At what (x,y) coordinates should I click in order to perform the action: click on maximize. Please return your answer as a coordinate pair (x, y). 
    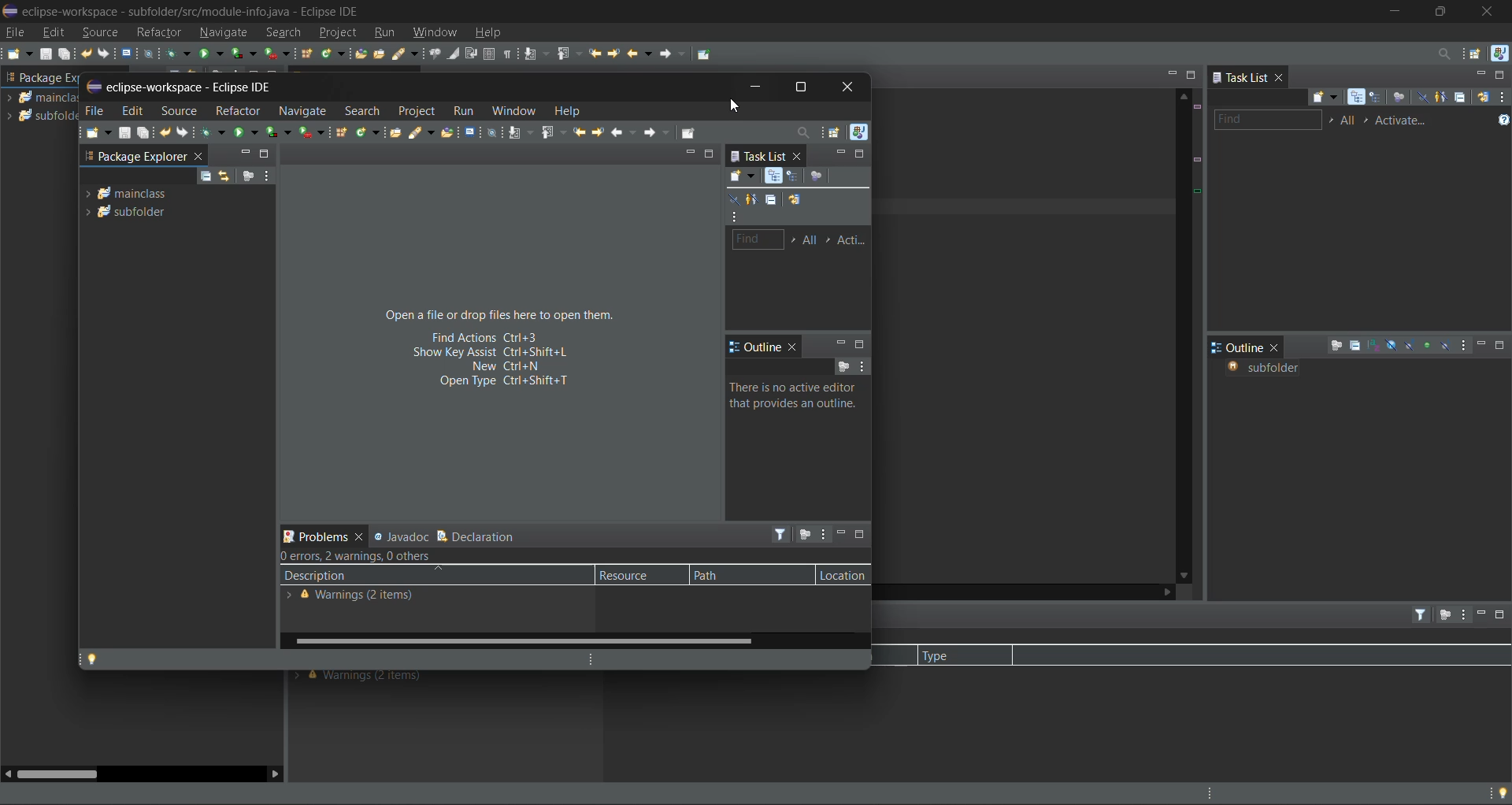
    Looking at the image, I should click on (1501, 345).